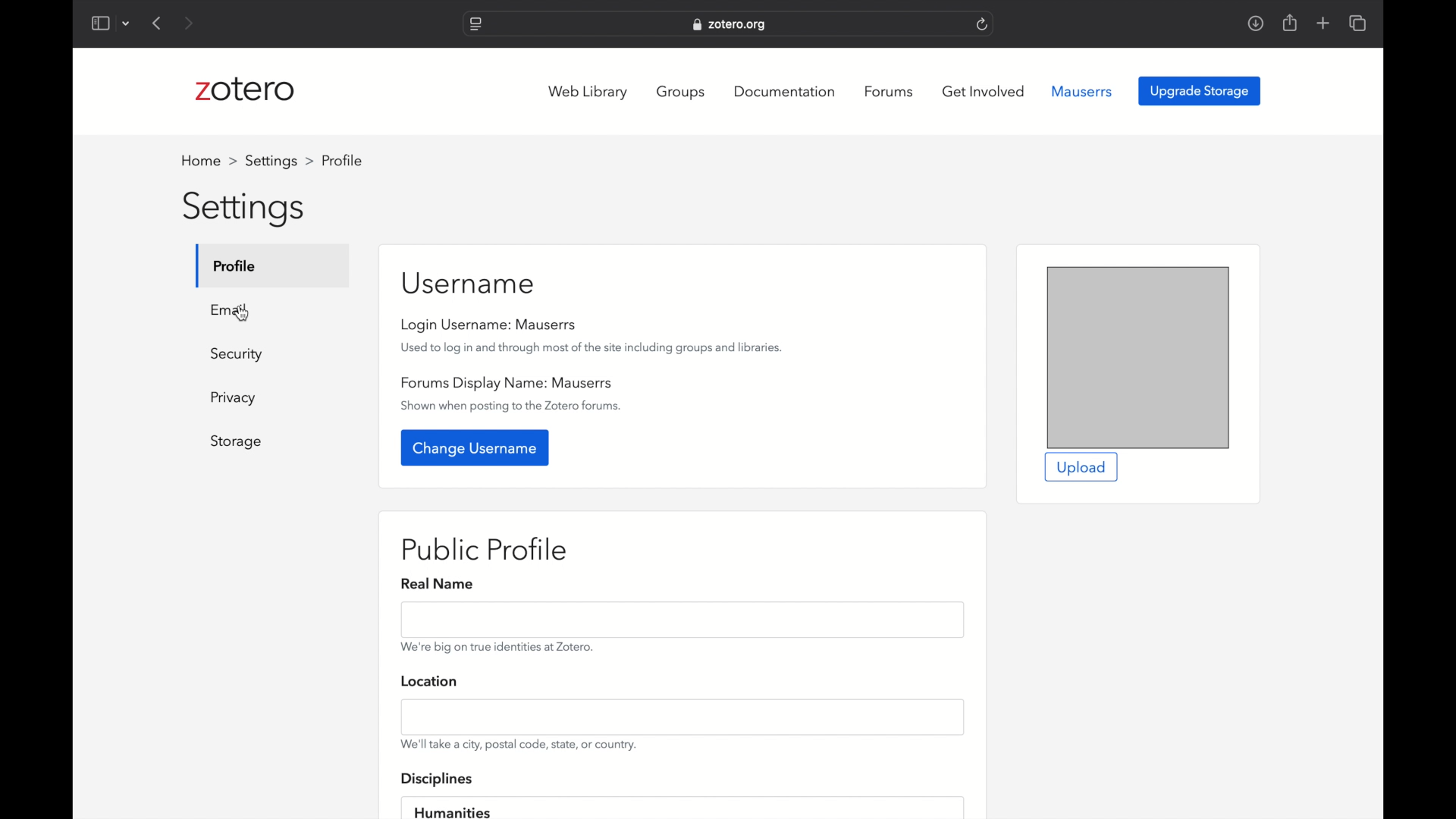 This screenshot has width=1456, height=819. What do you see at coordinates (1083, 92) in the screenshot?
I see `mauserrs` at bounding box center [1083, 92].